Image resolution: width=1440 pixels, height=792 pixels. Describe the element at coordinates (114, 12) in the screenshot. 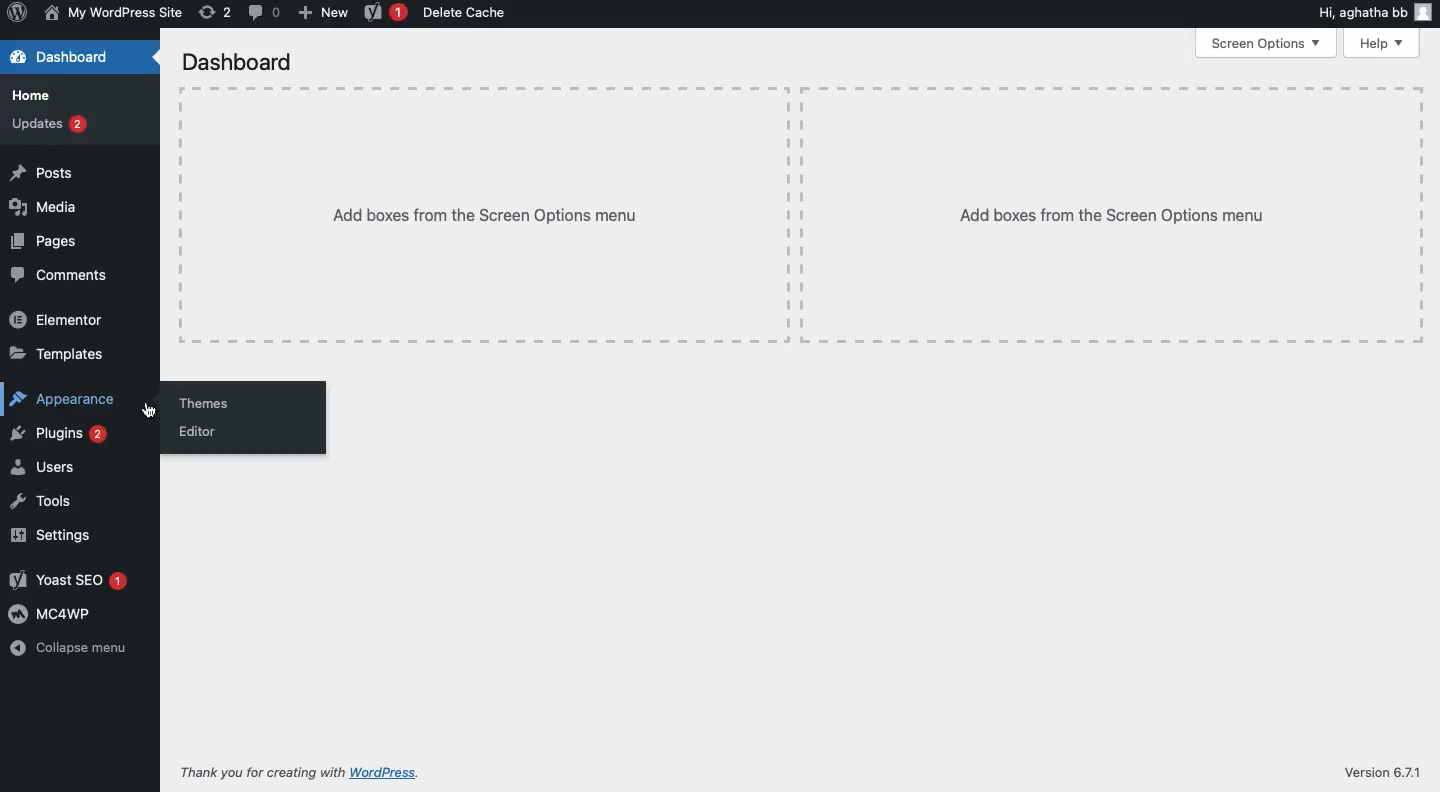

I see `Name` at that location.